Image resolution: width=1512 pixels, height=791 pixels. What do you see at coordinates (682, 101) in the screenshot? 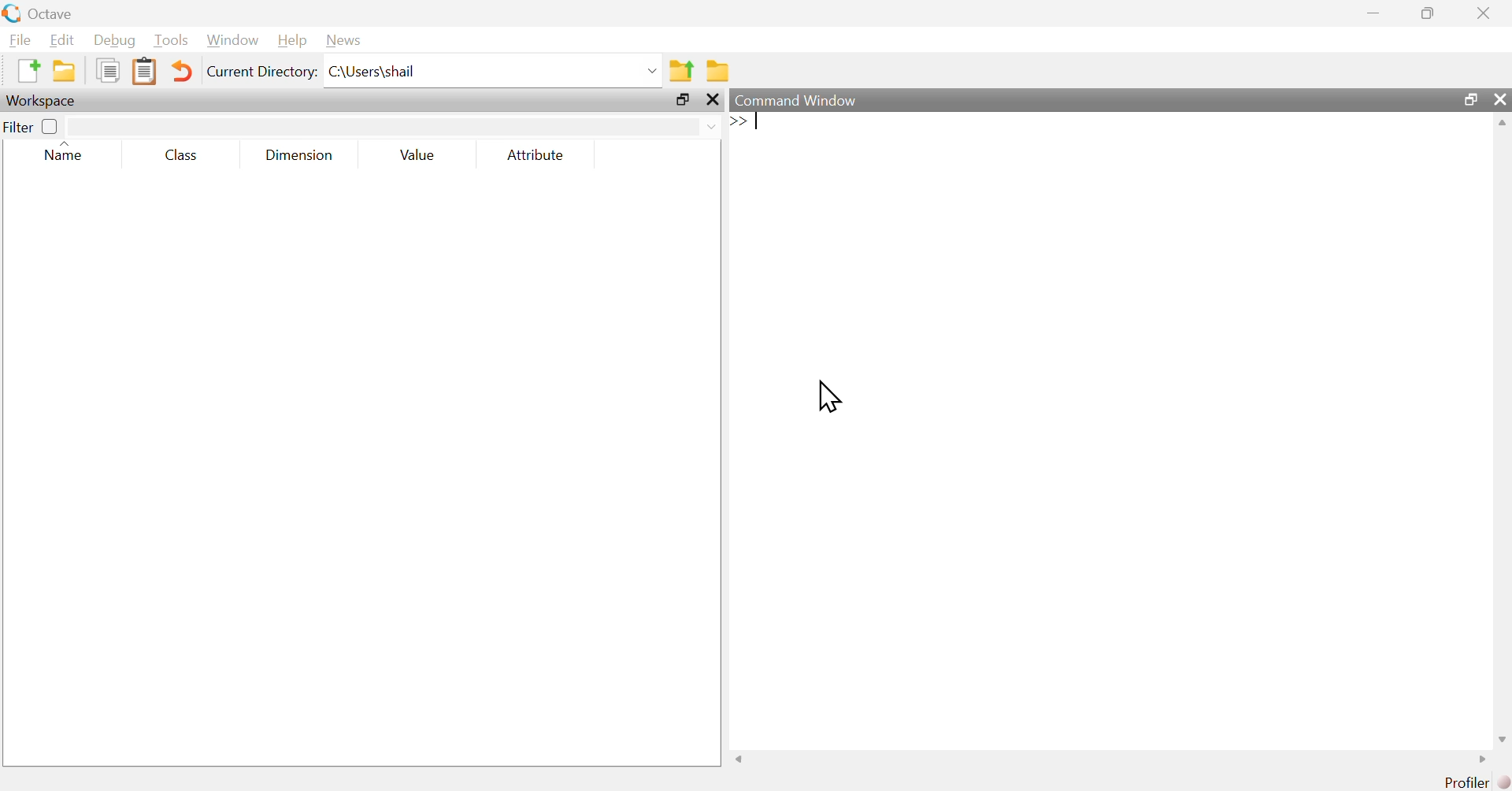
I see `maximize` at bounding box center [682, 101].